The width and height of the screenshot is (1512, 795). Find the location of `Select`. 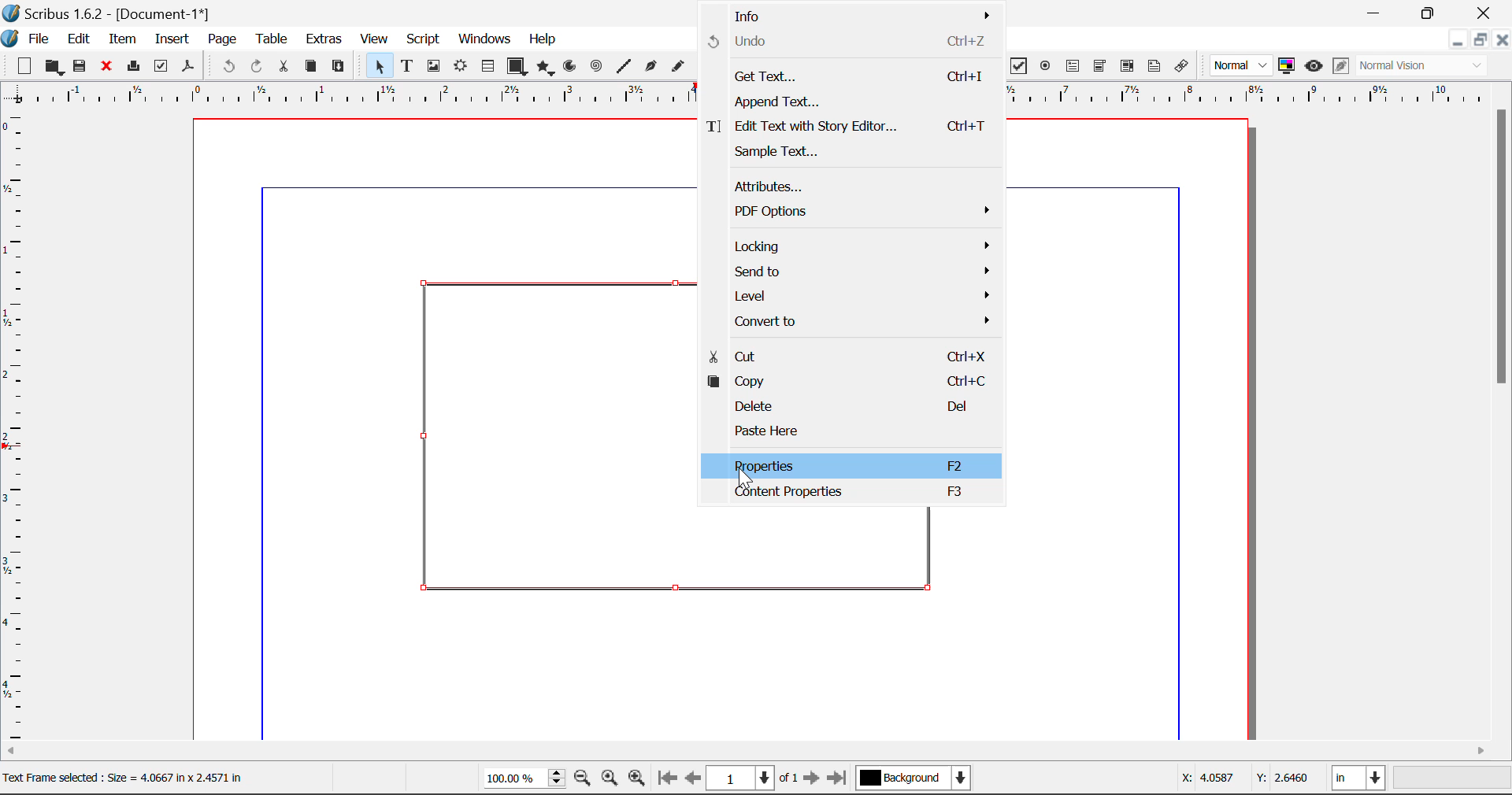

Select is located at coordinates (376, 65).